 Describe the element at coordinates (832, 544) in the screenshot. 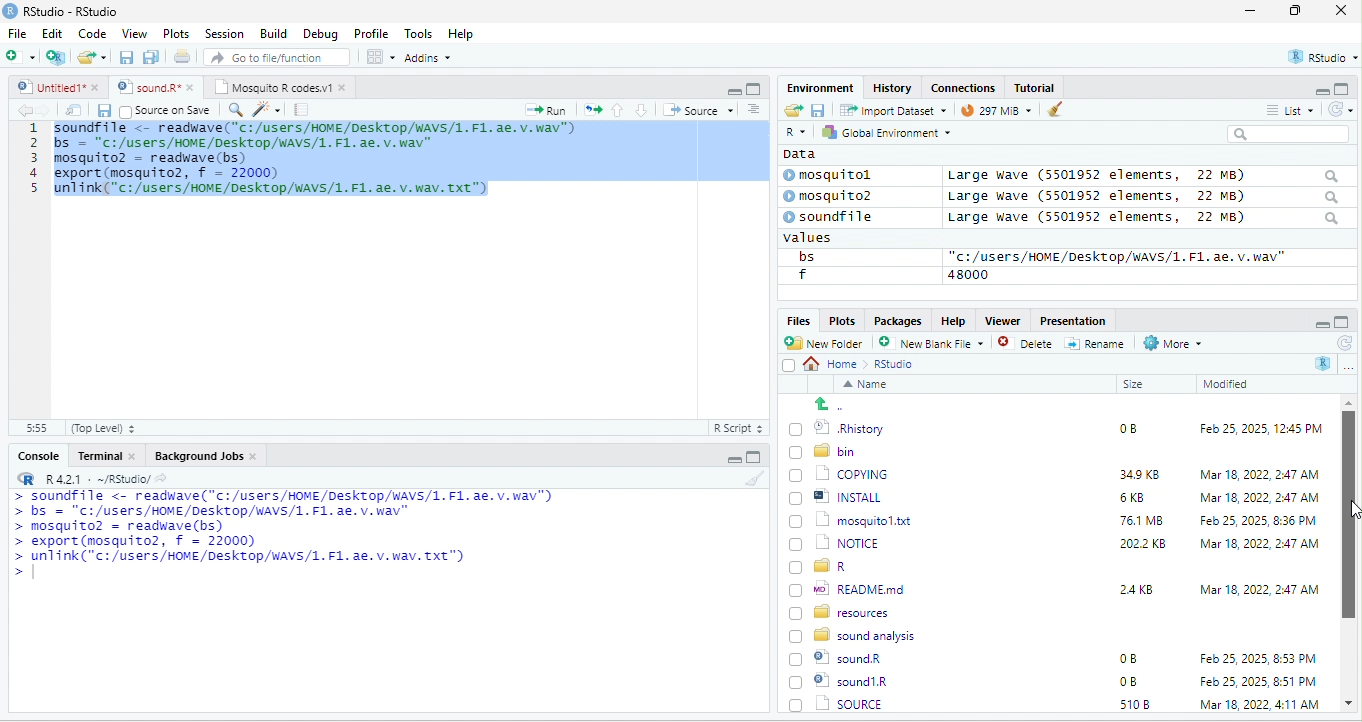

I see `(7) 1 NOTICE` at that location.